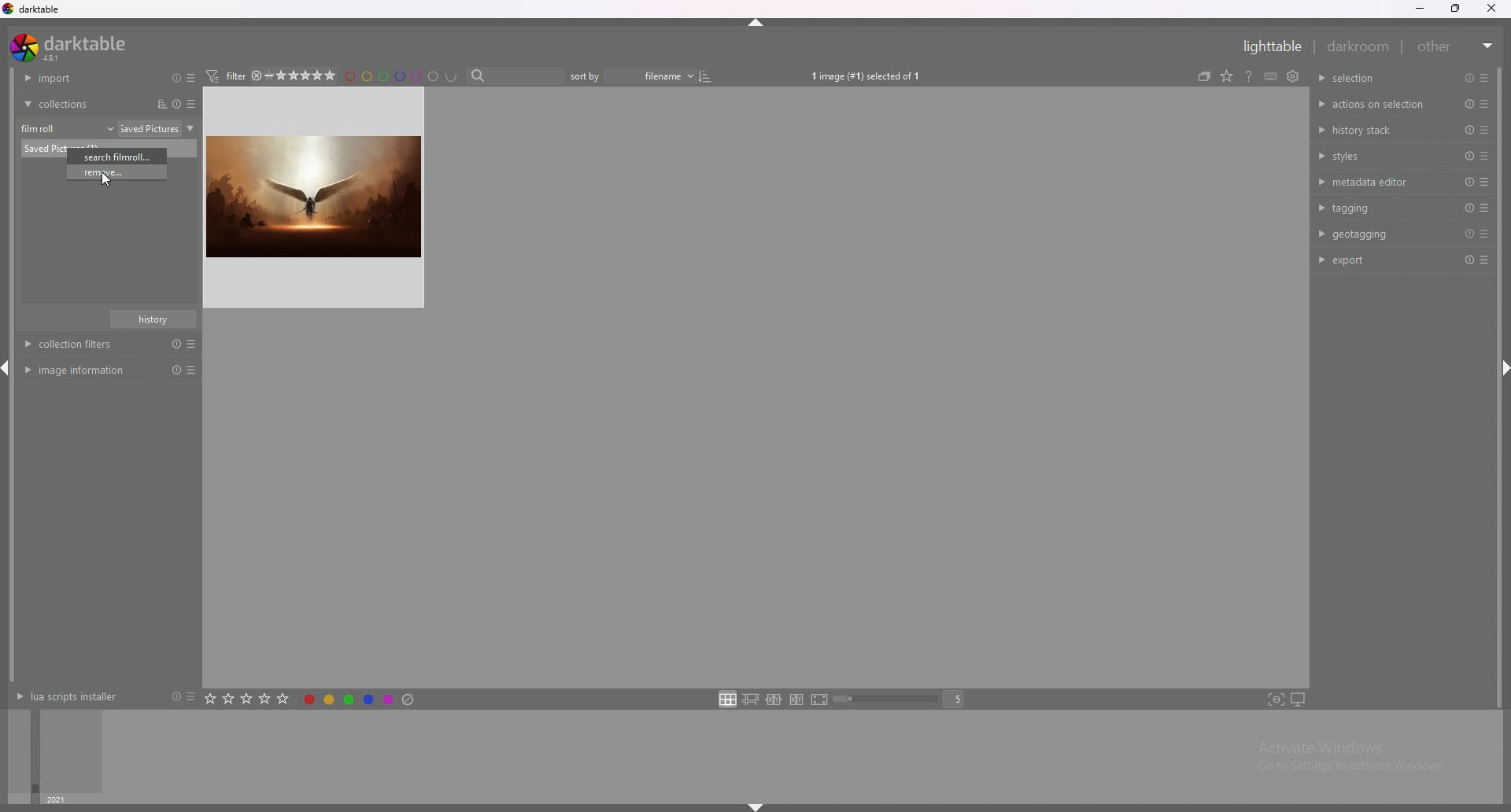  I want to click on presets, so click(1484, 130).